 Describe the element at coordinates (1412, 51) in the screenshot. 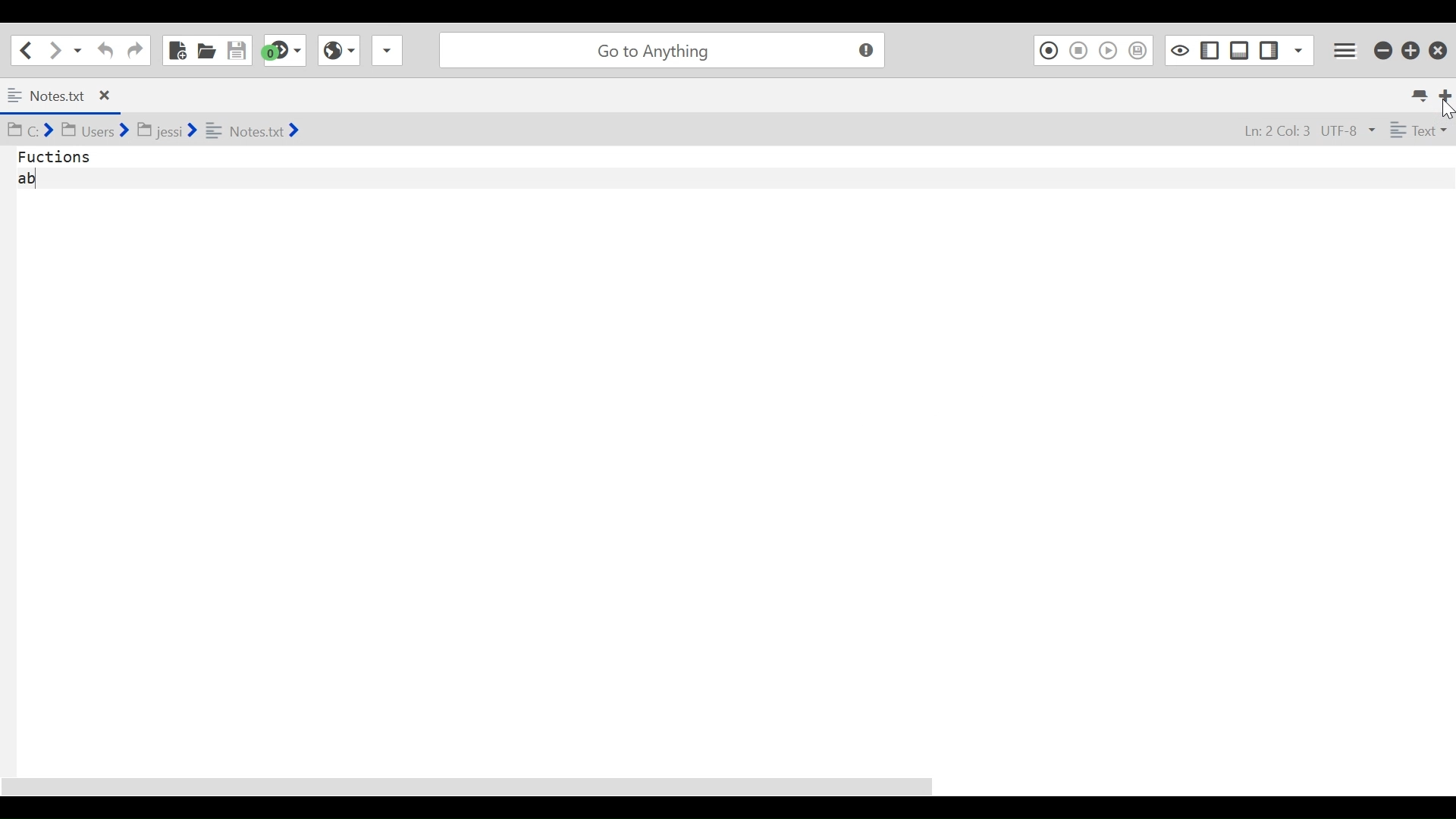

I see `Restore` at that location.